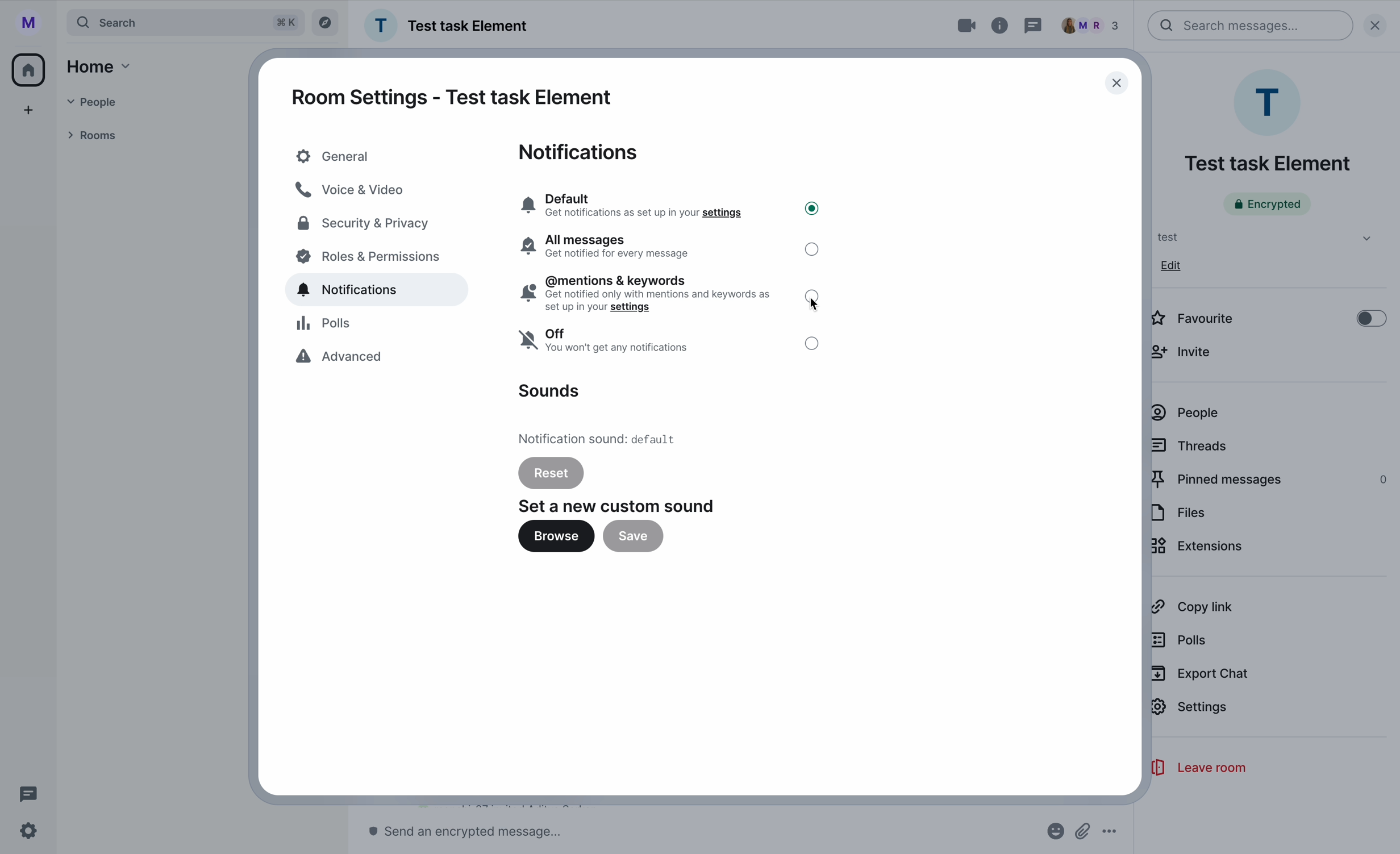 This screenshot has width=1400, height=854. Describe the element at coordinates (1106, 82) in the screenshot. I see `close` at that location.